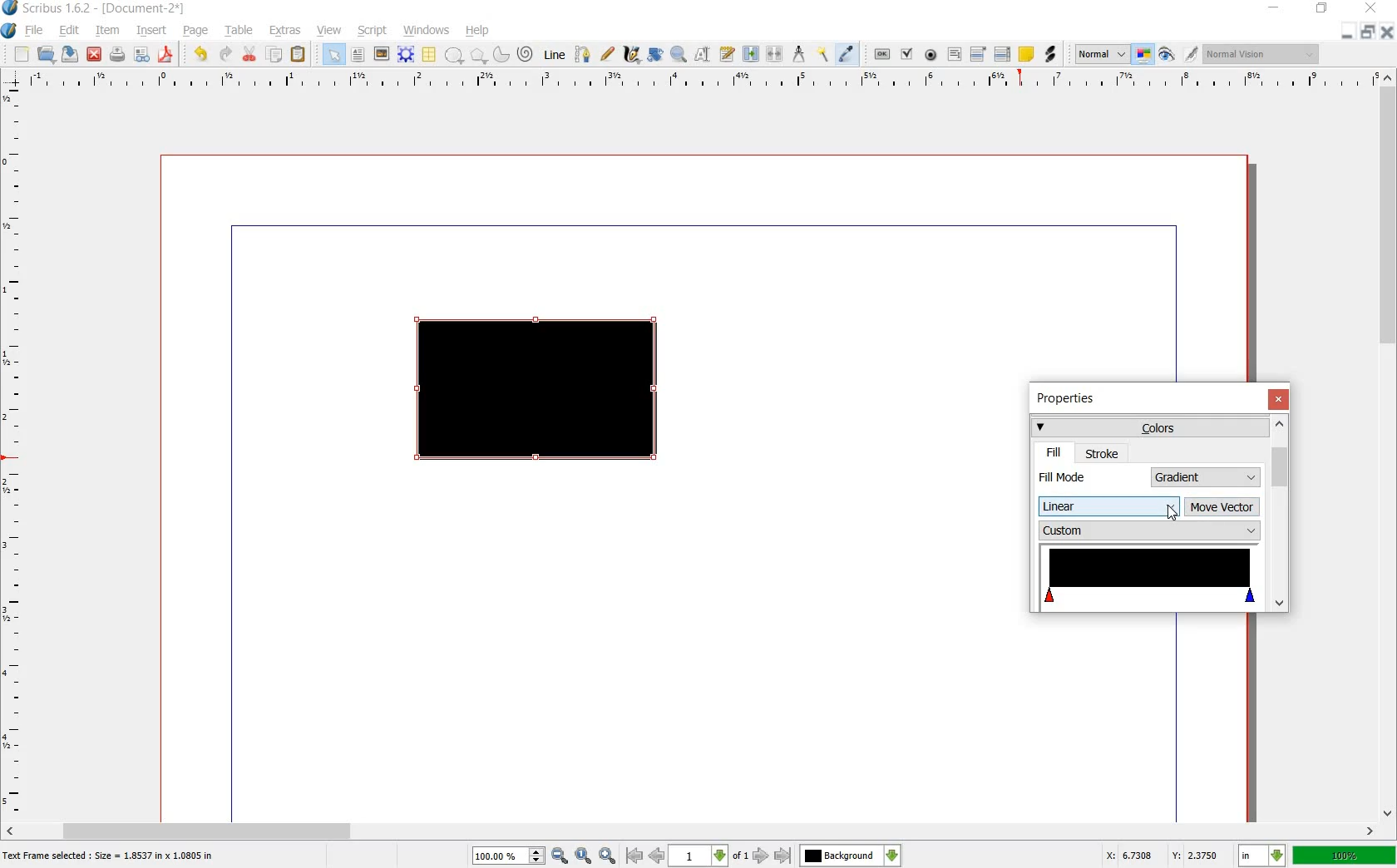 Image resolution: width=1397 pixels, height=868 pixels. What do you see at coordinates (678, 56) in the screenshot?
I see `zoom in or out` at bounding box center [678, 56].